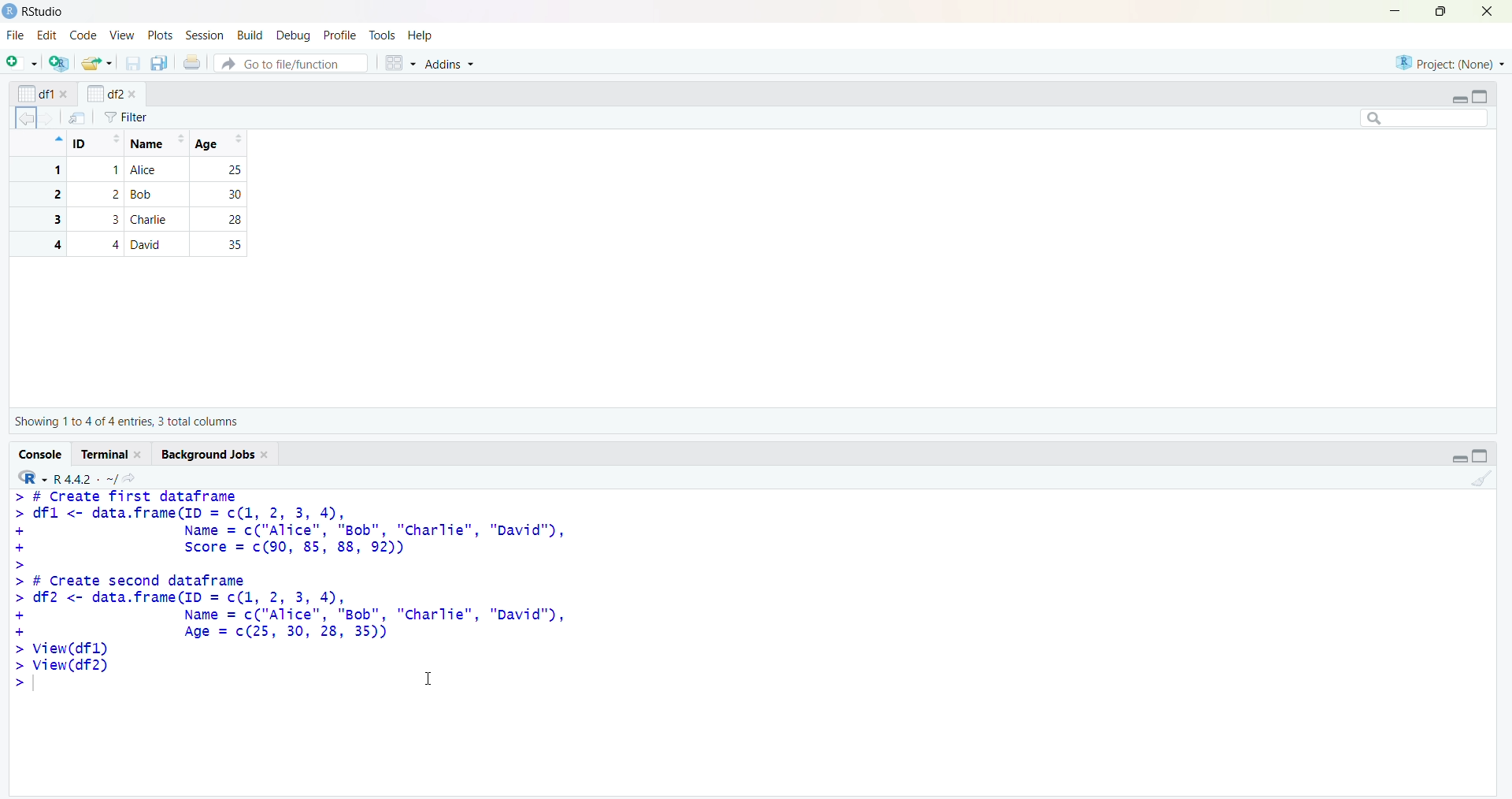  What do you see at coordinates (162, 36) in the screenshot?
I see `plots` at bounding box center [162, 36].